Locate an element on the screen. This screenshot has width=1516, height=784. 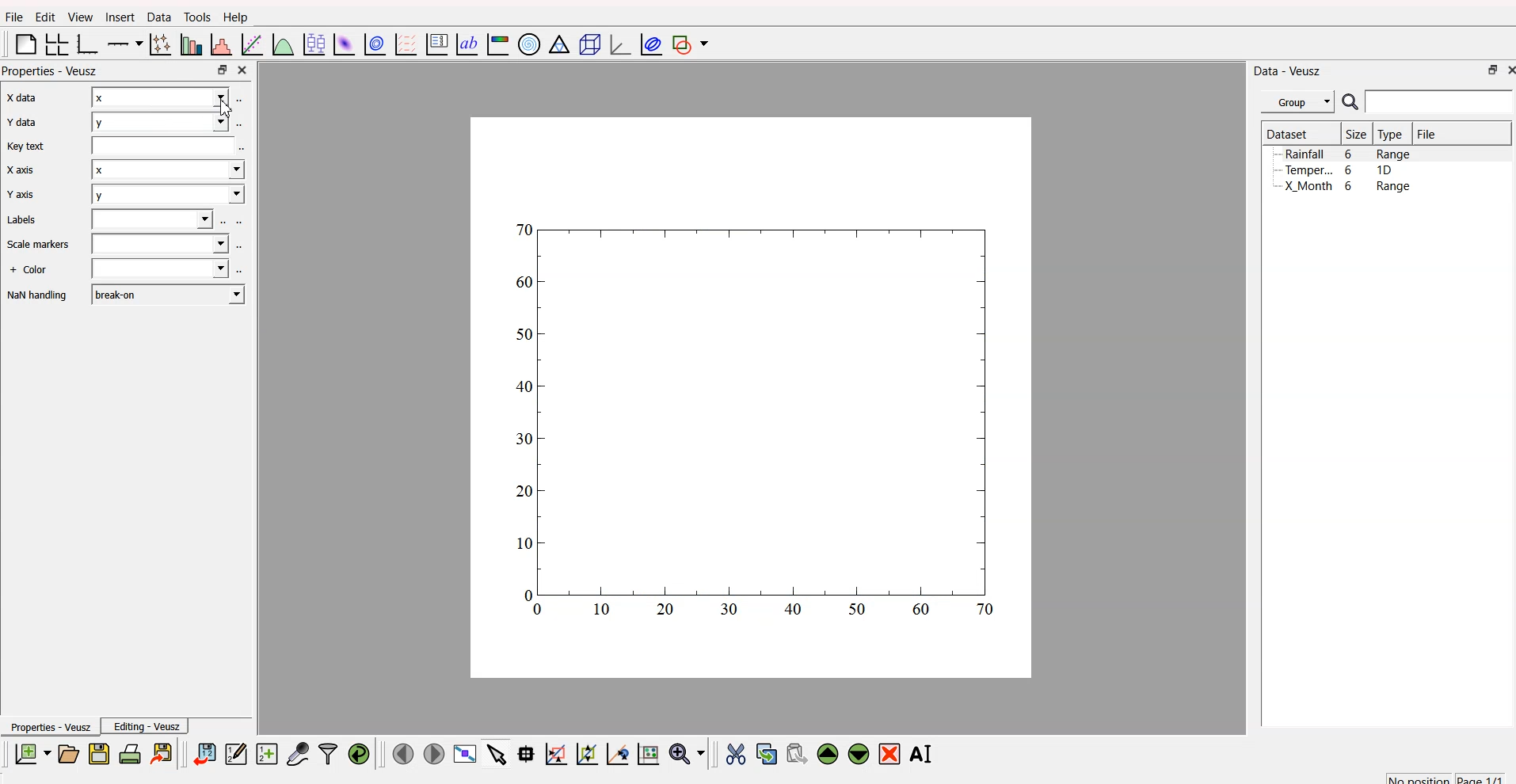
zoom menu is located at coordinates (688, 752).